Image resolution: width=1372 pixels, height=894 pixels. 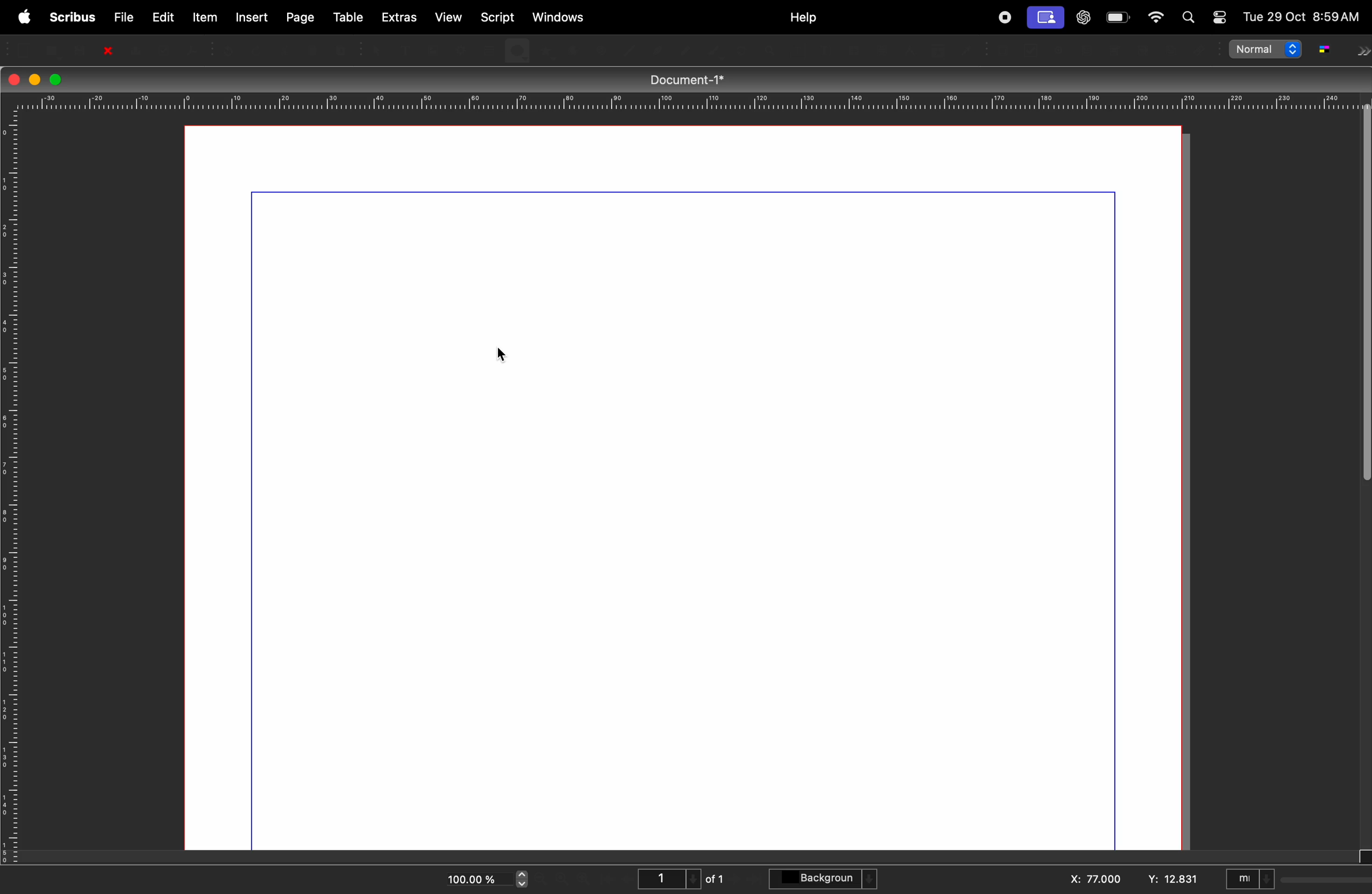 What do you see at coordinates (938, 50) in the screenshot?
I see `Copy item properties` at bounding box center [938, 50].